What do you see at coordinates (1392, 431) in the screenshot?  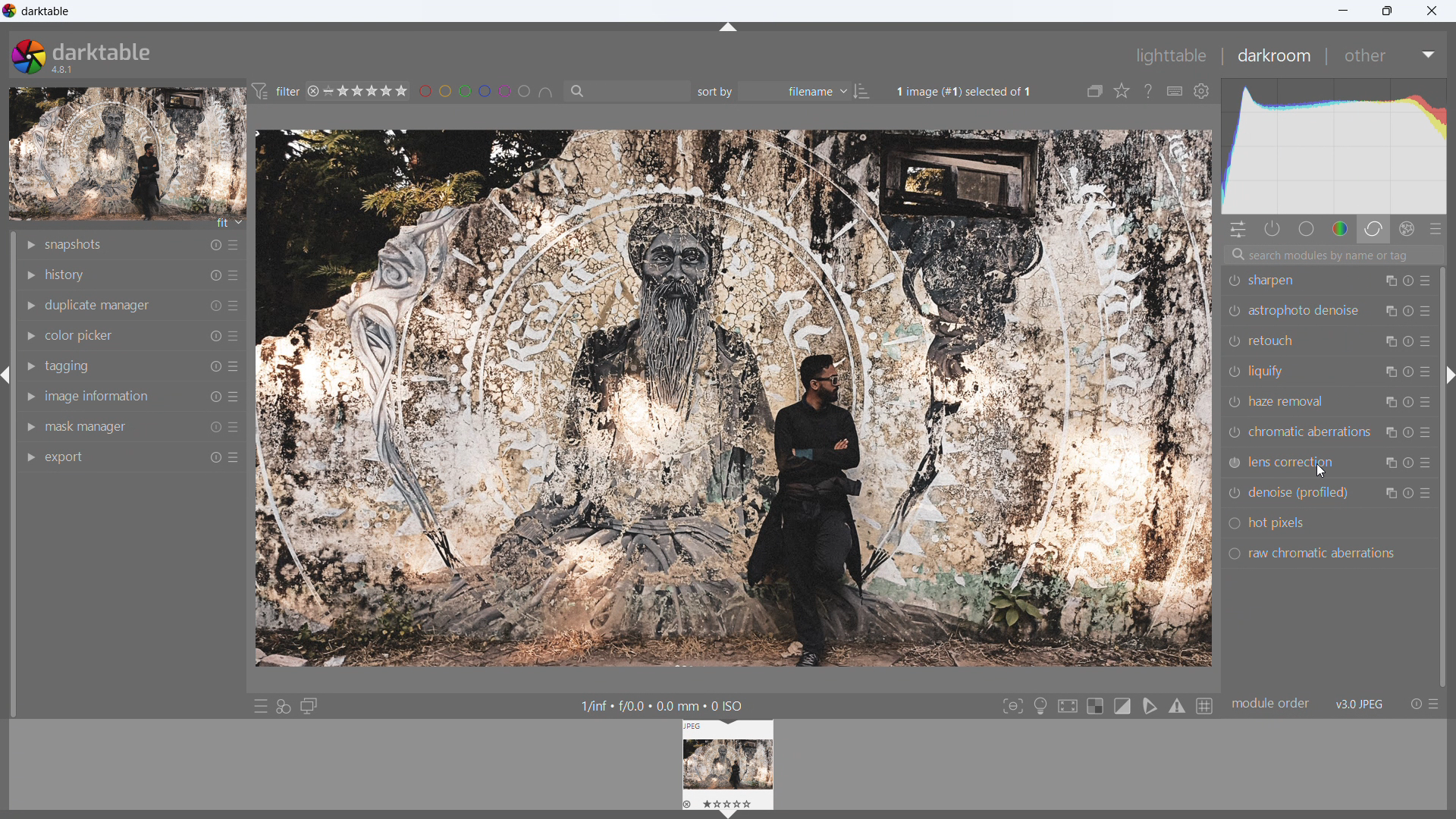 I see `multiple action instance` at bounding box center [1392, 431].